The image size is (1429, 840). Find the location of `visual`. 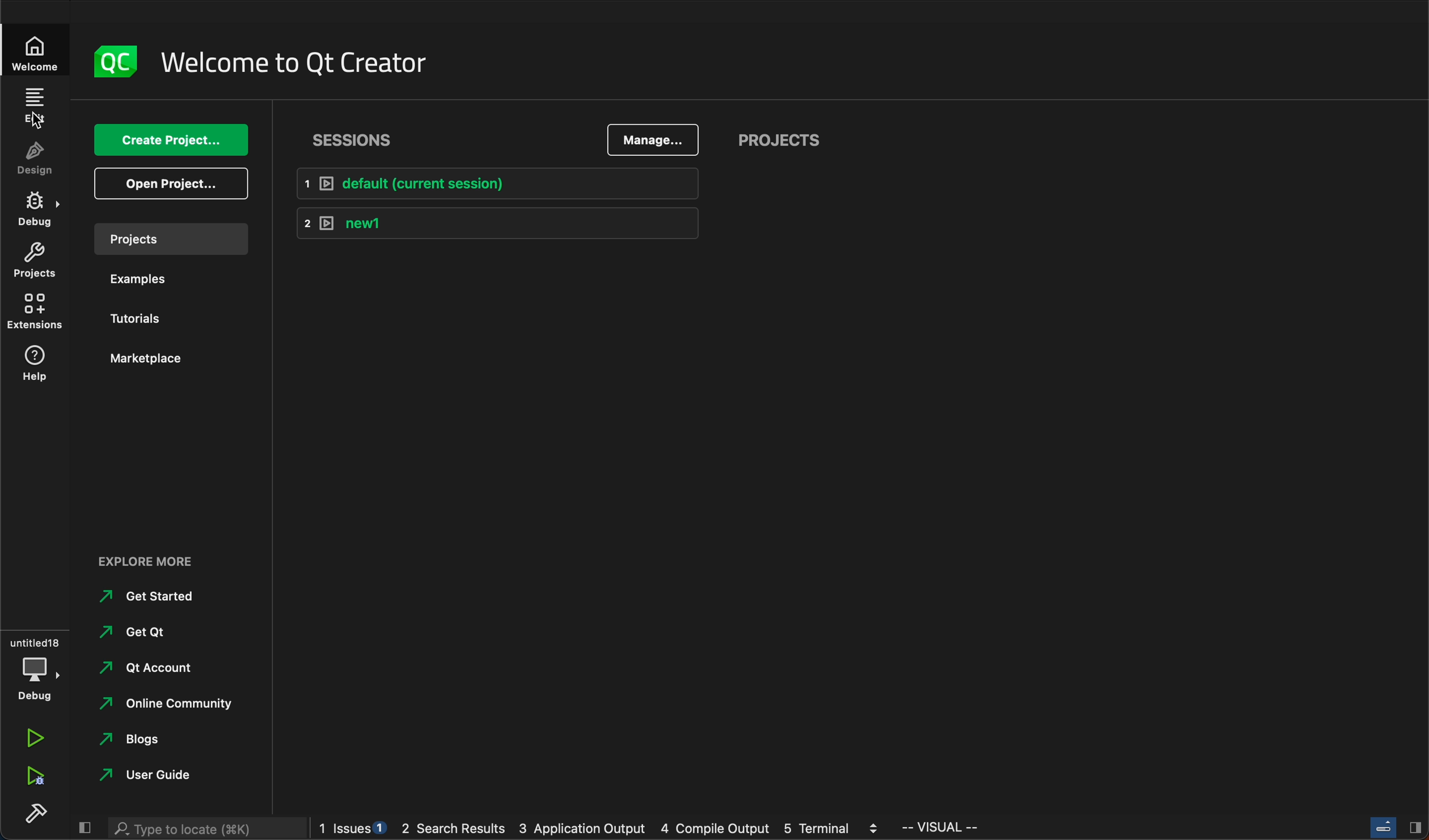

visual is located at coordinates (944, 828).